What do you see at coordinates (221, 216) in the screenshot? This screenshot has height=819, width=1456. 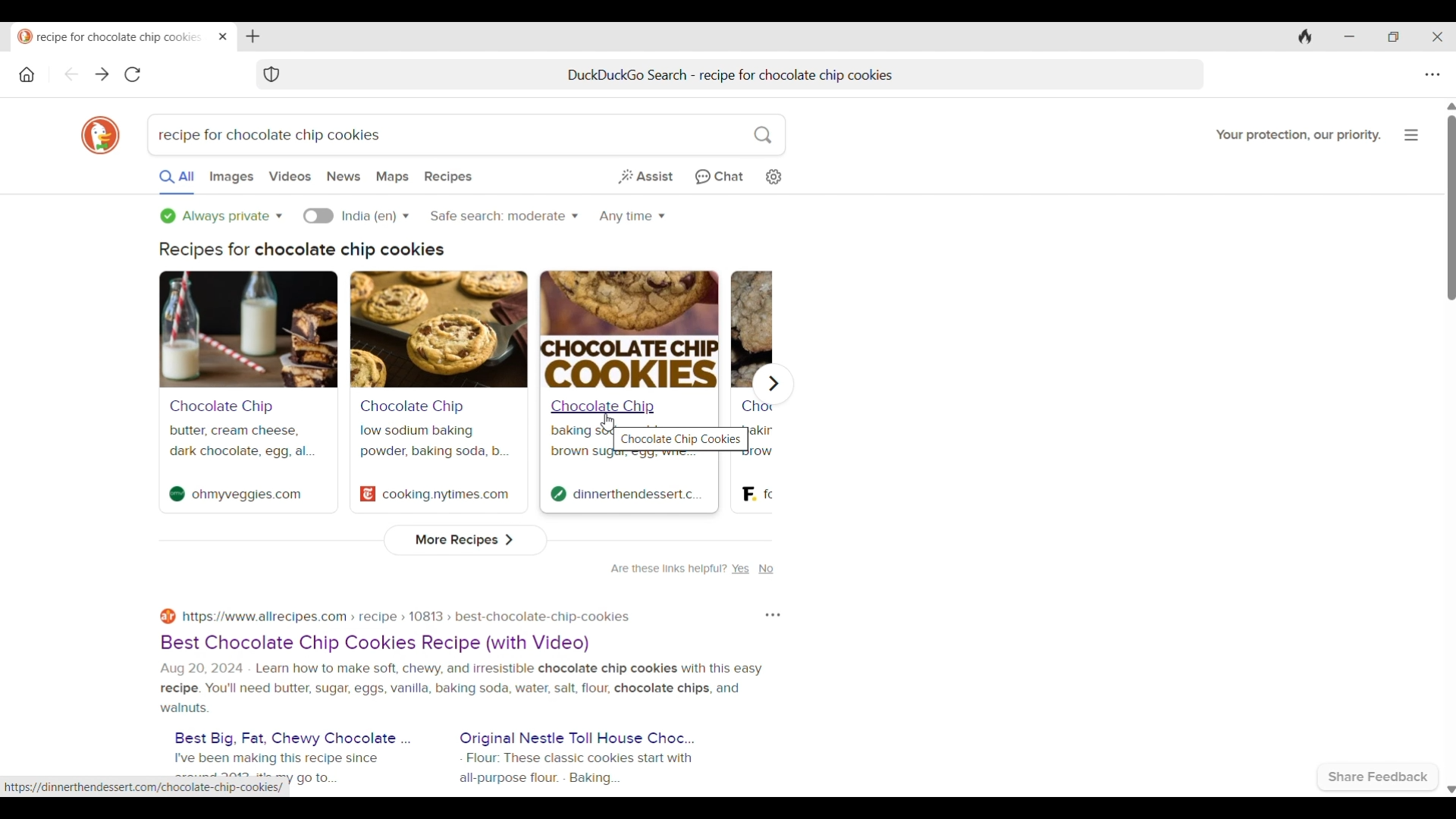 I see `Privacy options` at bounding box center [221, 216].